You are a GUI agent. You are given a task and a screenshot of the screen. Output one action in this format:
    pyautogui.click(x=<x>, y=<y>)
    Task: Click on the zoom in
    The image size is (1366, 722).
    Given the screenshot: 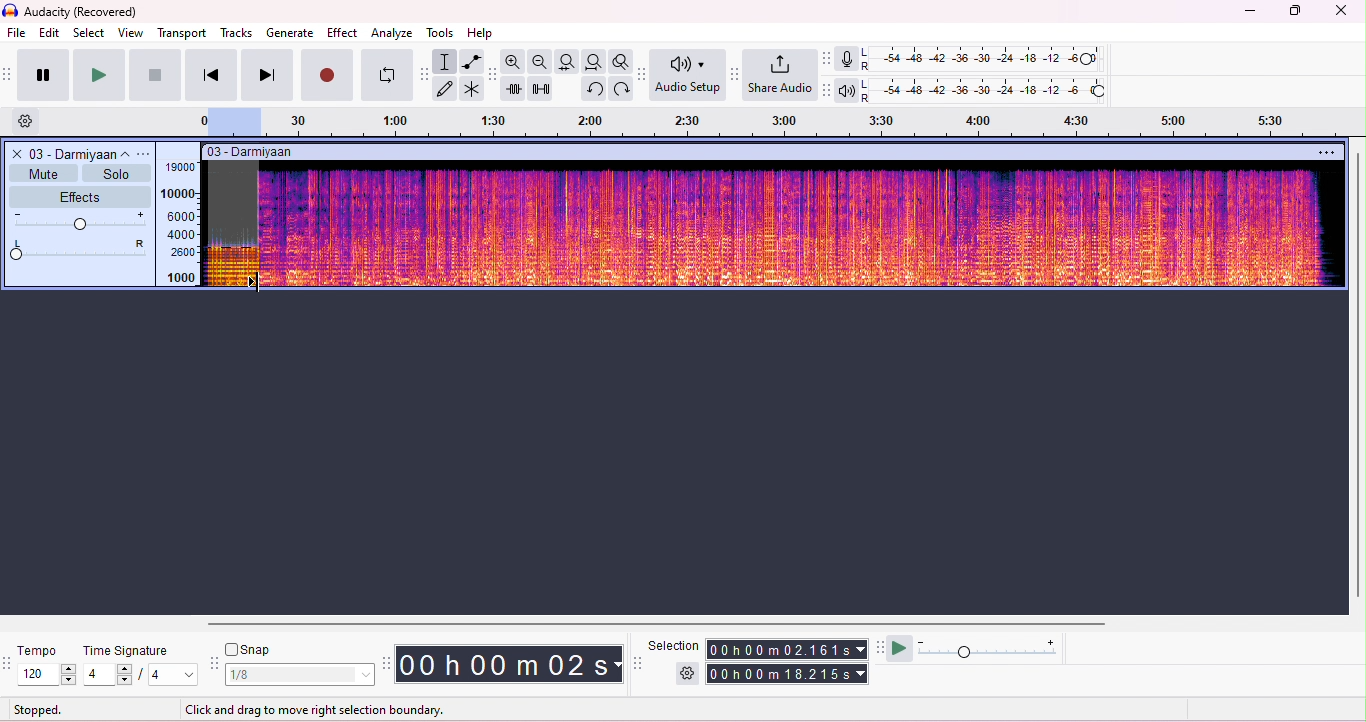 What is the action you would take?
    pyautogui.click(x=512, y=61)
    